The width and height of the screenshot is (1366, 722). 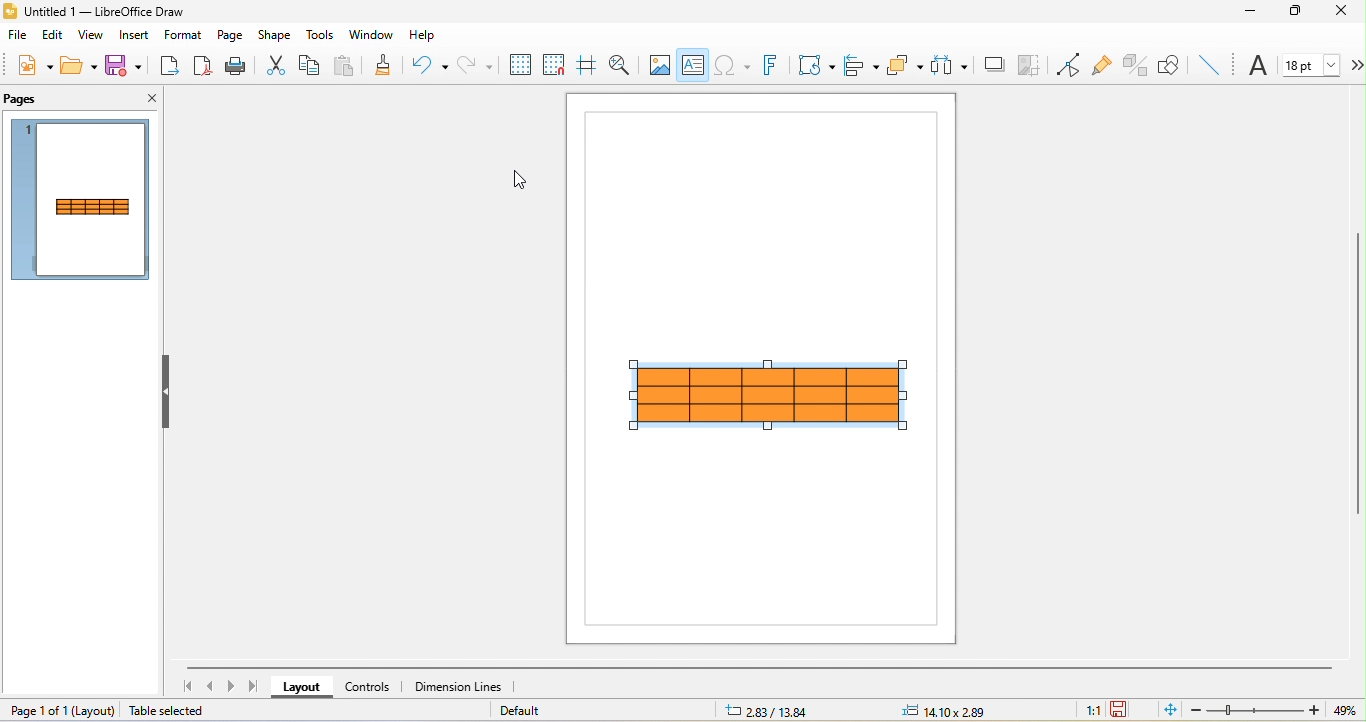 What do you see at coordinates (82, 202) in the screenshot?
I see `page1` at bounding box center [82, 202].